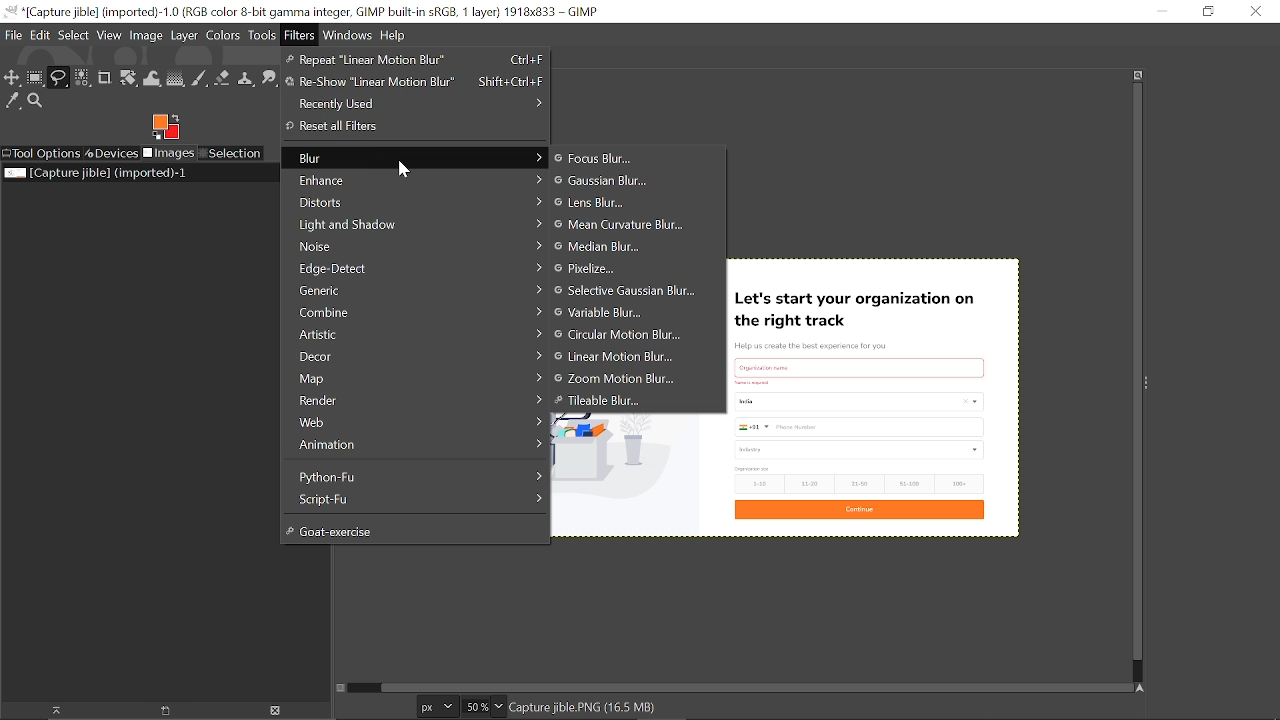 This screenshot has width=1280, height=720. Describe the element at coordinates (414, 475) in the screenshot. I see `Python-Fu` at that location.